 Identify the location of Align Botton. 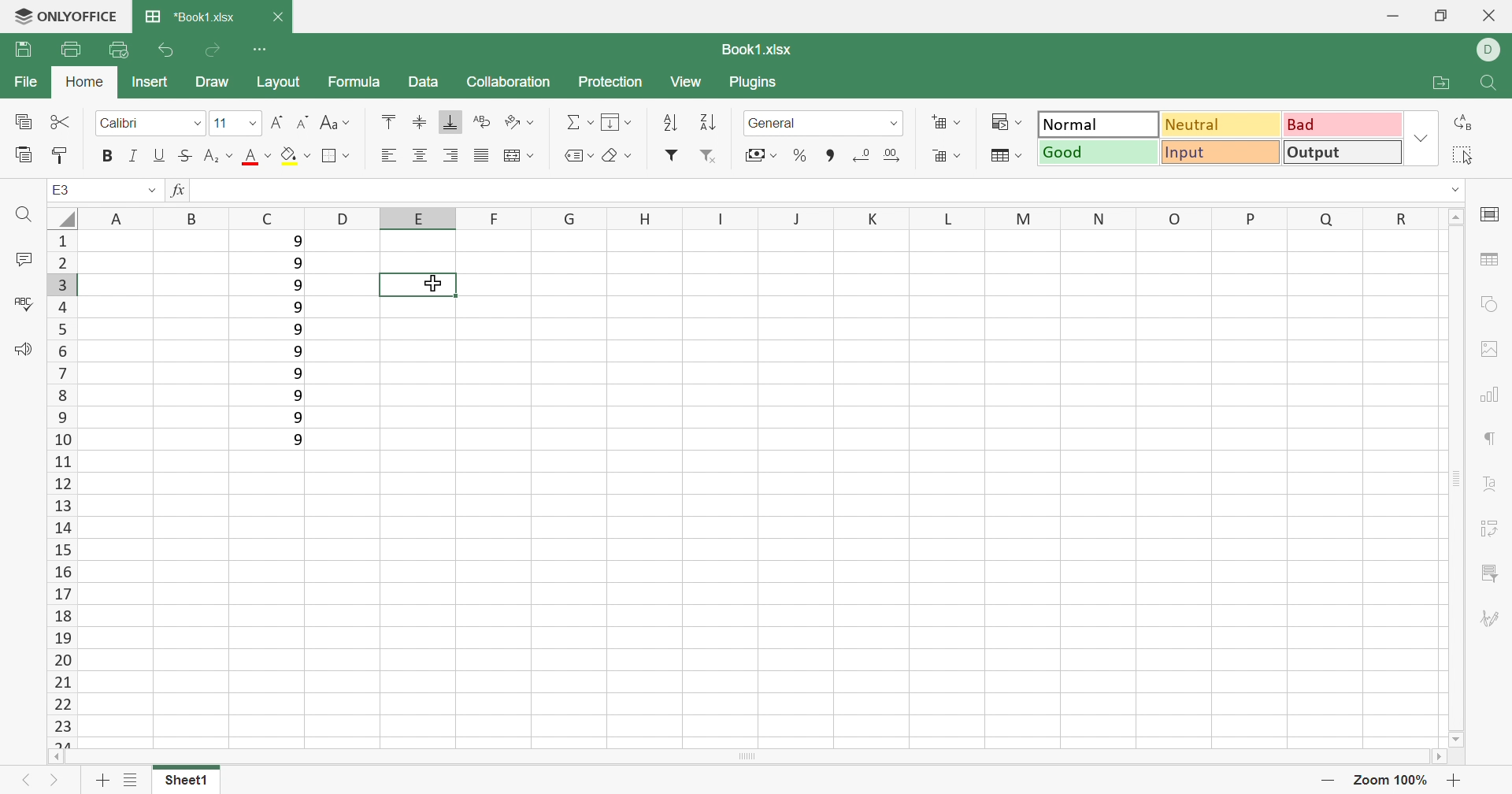
(450, 123).